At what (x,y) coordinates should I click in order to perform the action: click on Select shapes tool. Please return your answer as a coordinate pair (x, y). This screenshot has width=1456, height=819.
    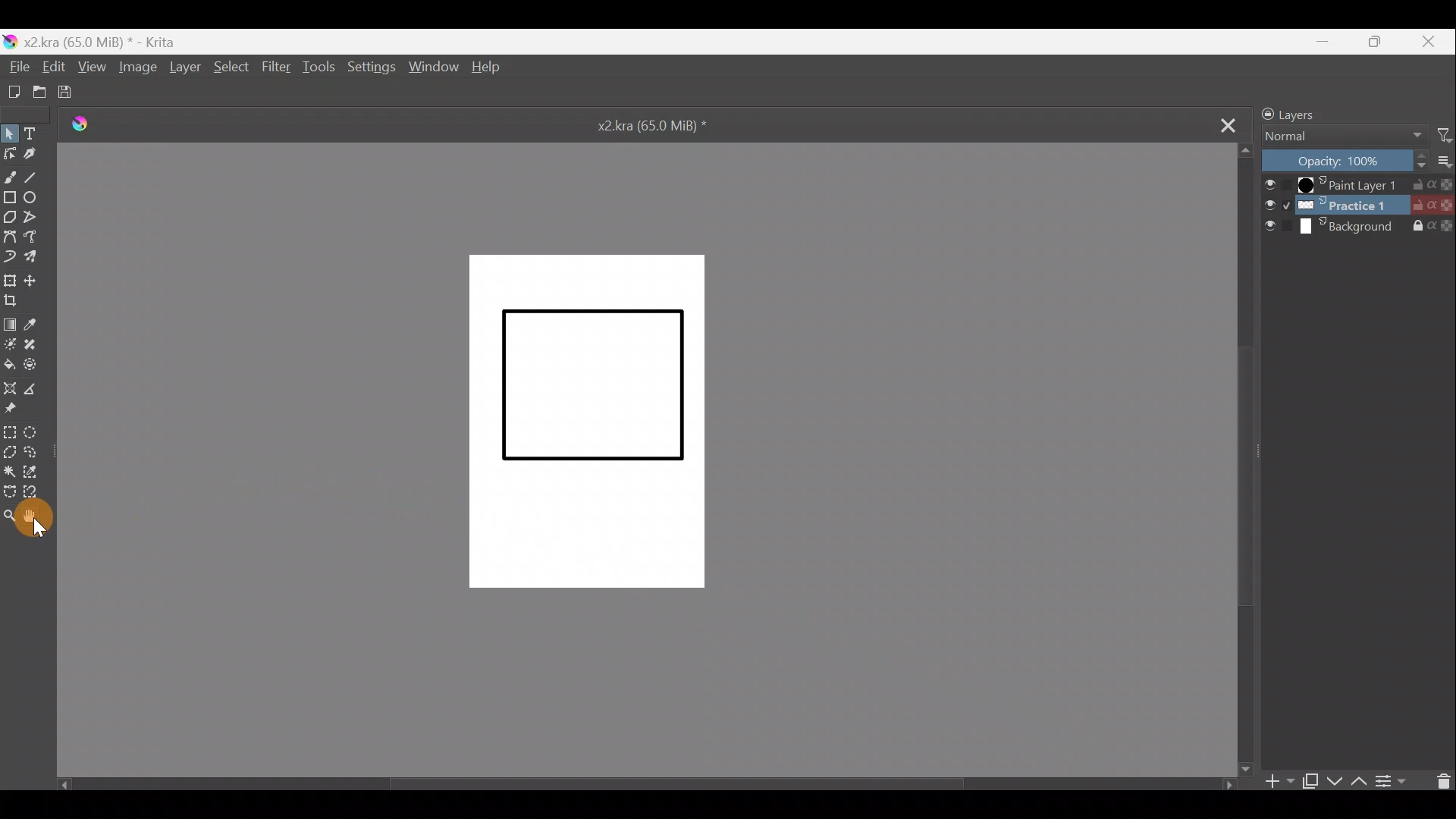
    Looking at the image, I should click on (9, 134).